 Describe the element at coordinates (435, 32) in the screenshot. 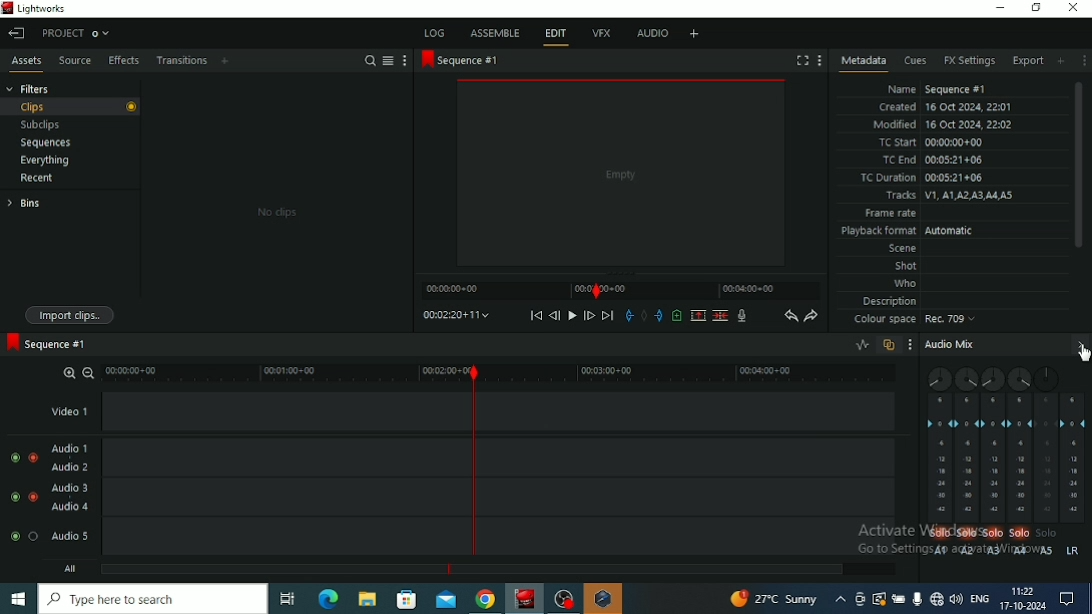

I see `LOG` at that location.